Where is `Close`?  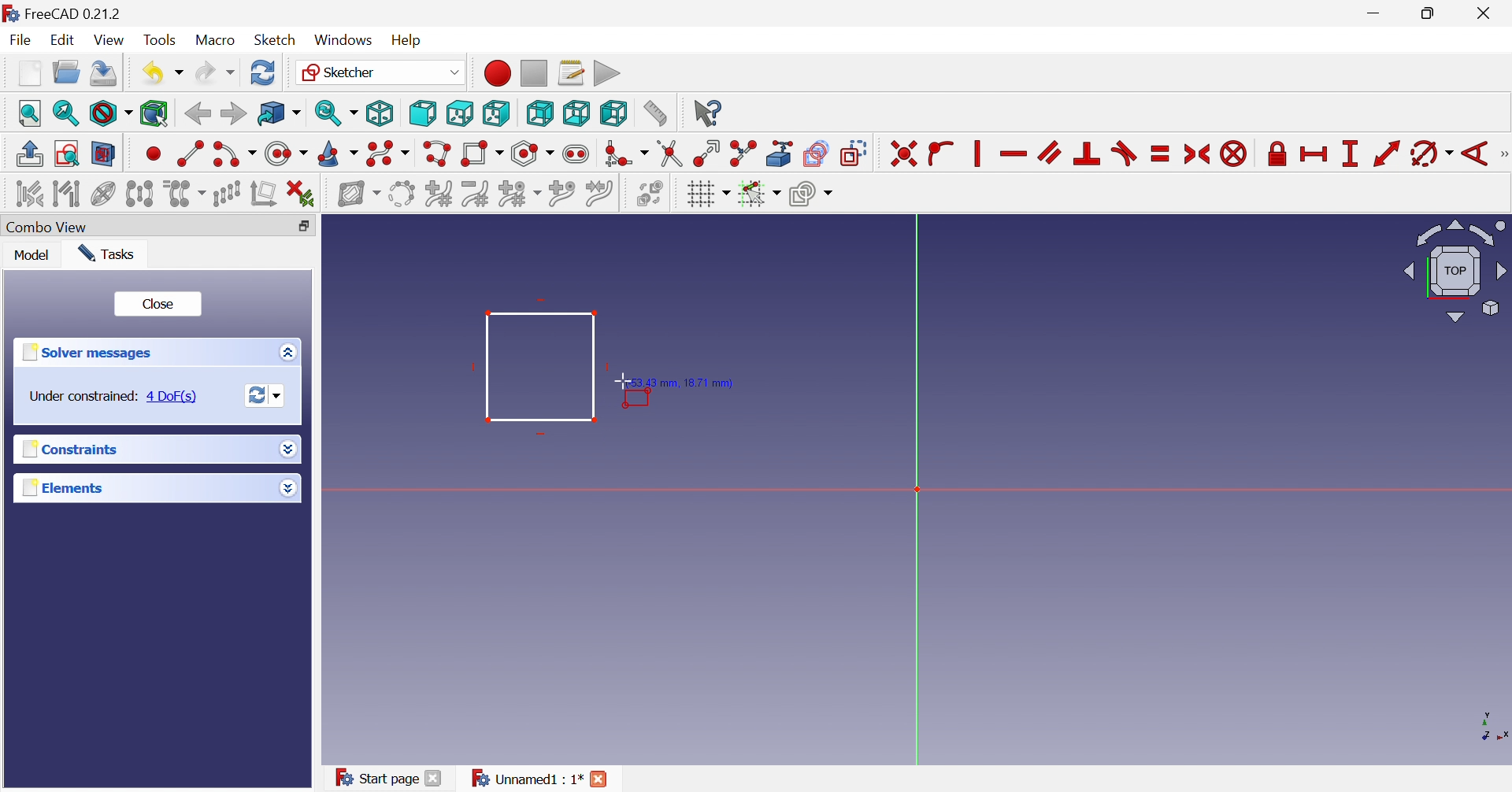
Close is located at coordinates (1487, 14).